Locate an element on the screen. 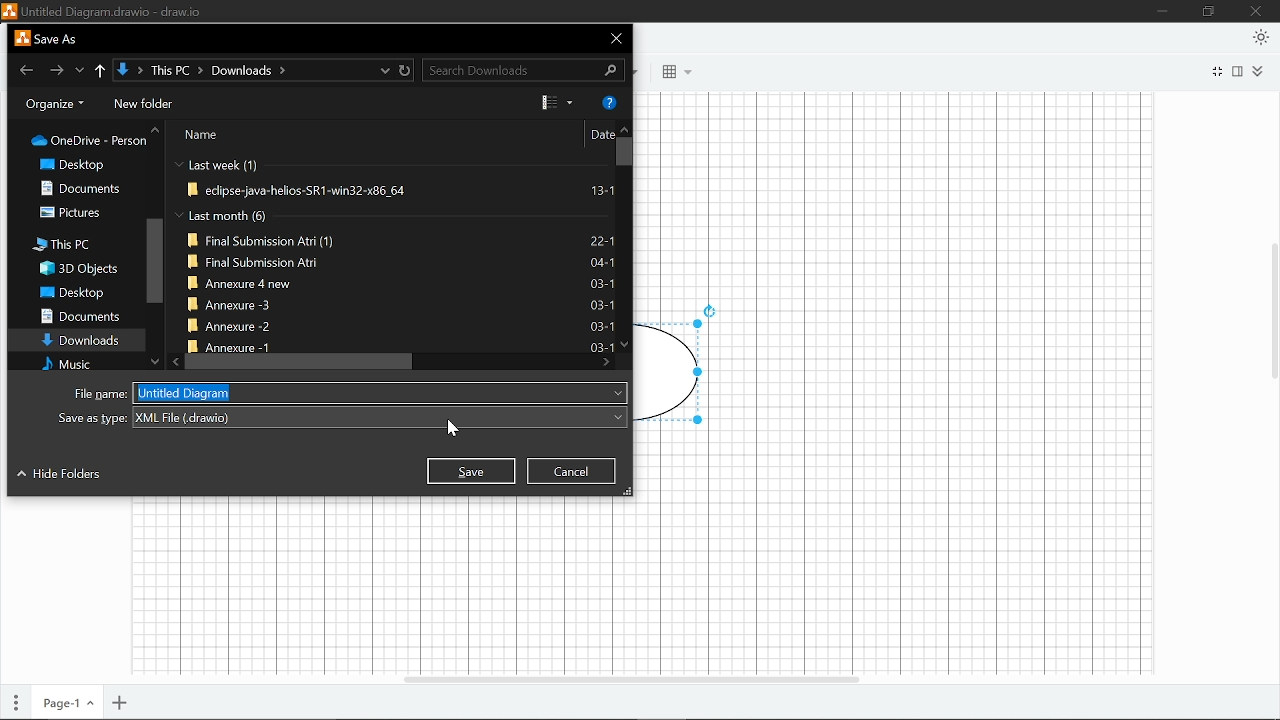 This screenshot has height=720, width=1280. cursor is located at coordinates (455, 430).